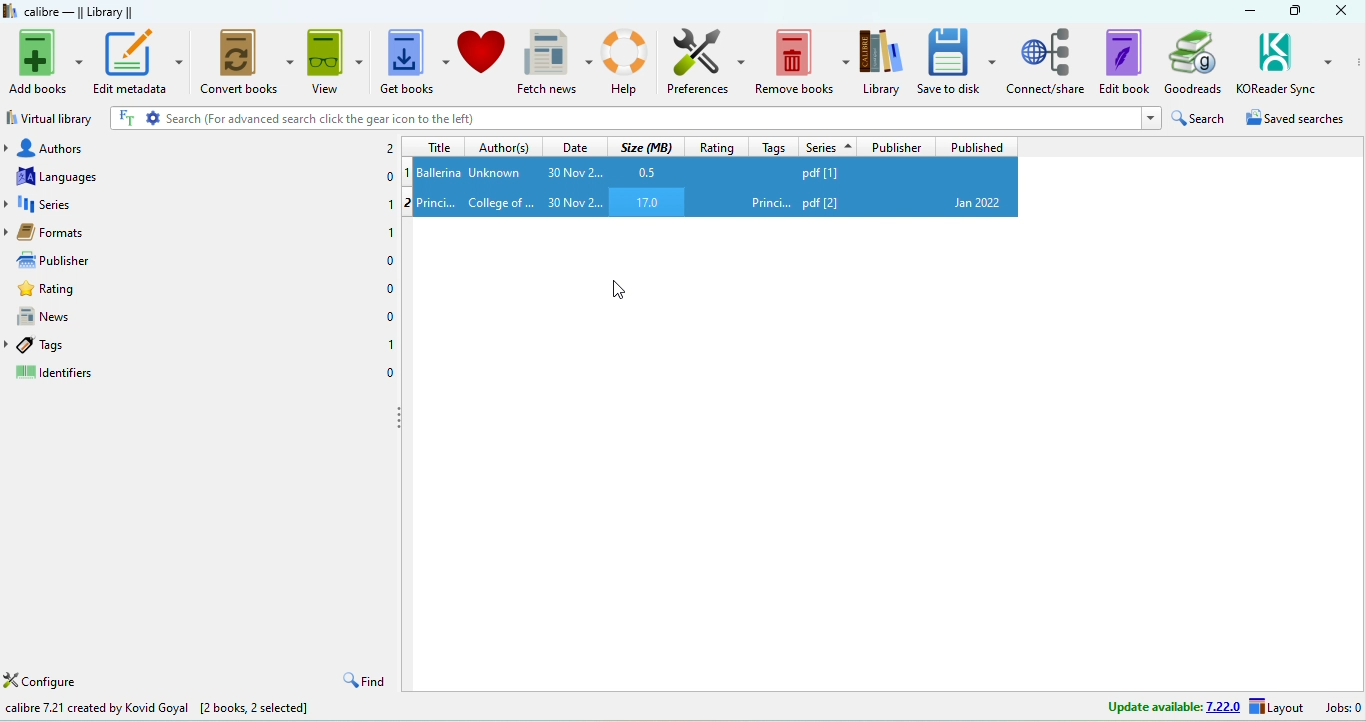 This screenshot has height=722, width=1366. Describe the element at coordinates (647, 202) in the screenshot. I see `17.0` at that location.